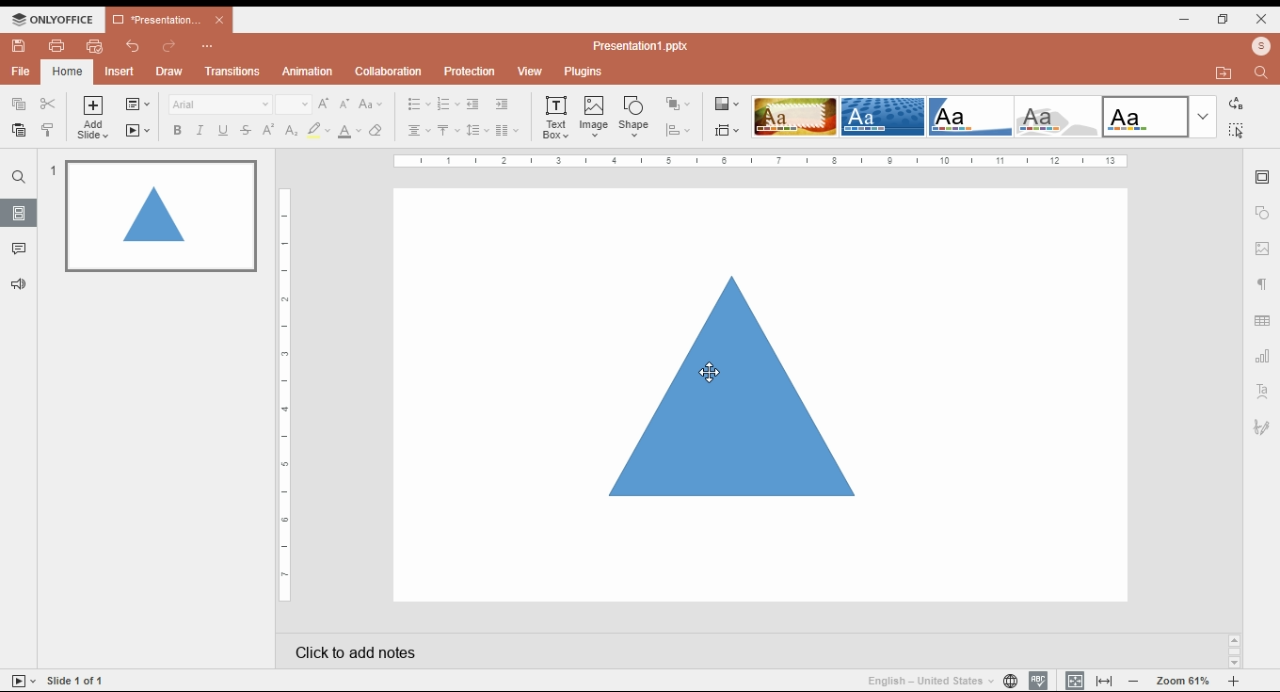 The width and height of the screenshot is (1280, 692). Describe the element at coordinates (60, 47) in the screenshot. I see `print file` at that location.